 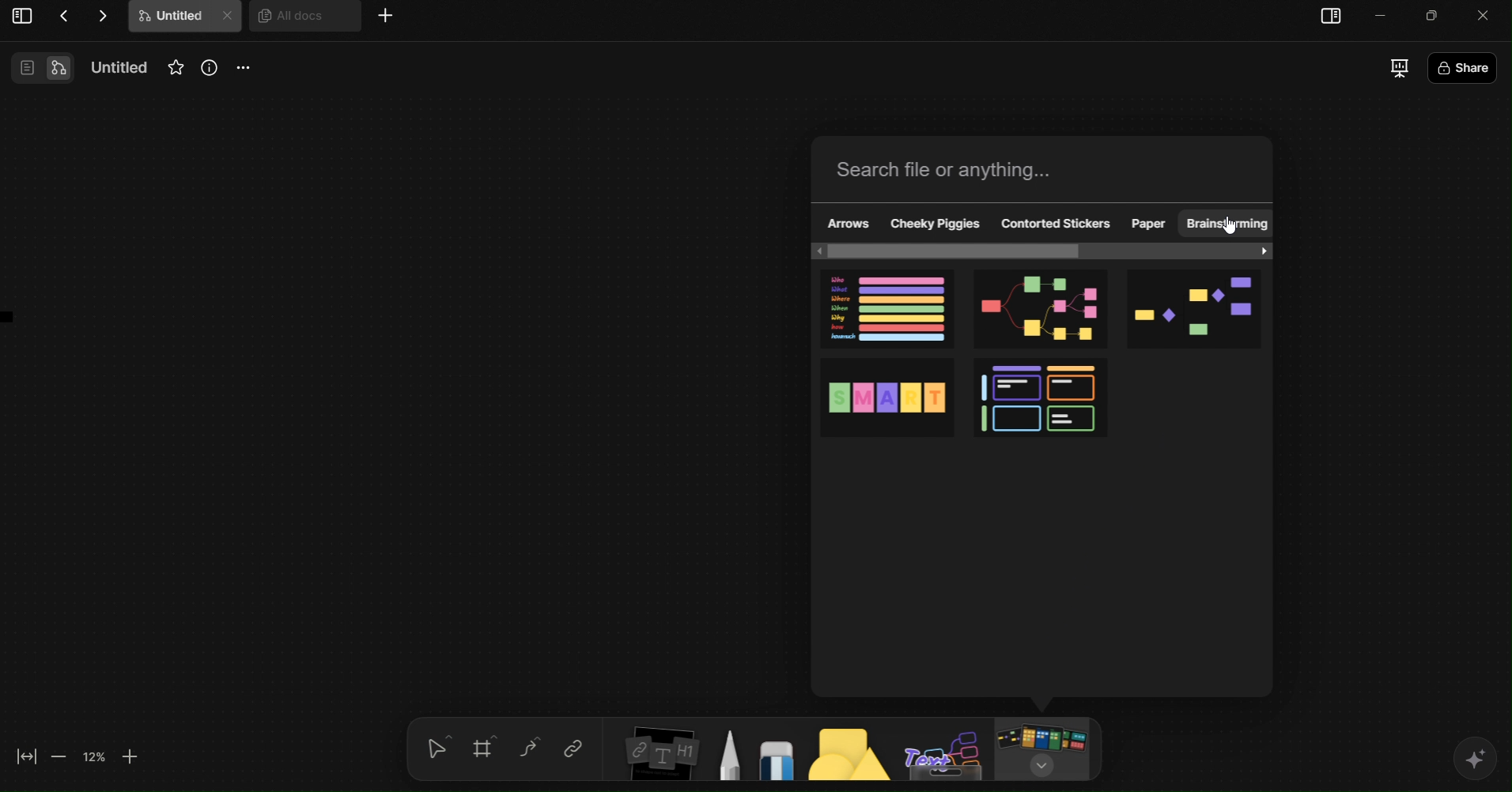 What do you see at coordinates (1400, 70) in the screenshot?
I see `Presentation Mode` at bounding box center [1400, 70].